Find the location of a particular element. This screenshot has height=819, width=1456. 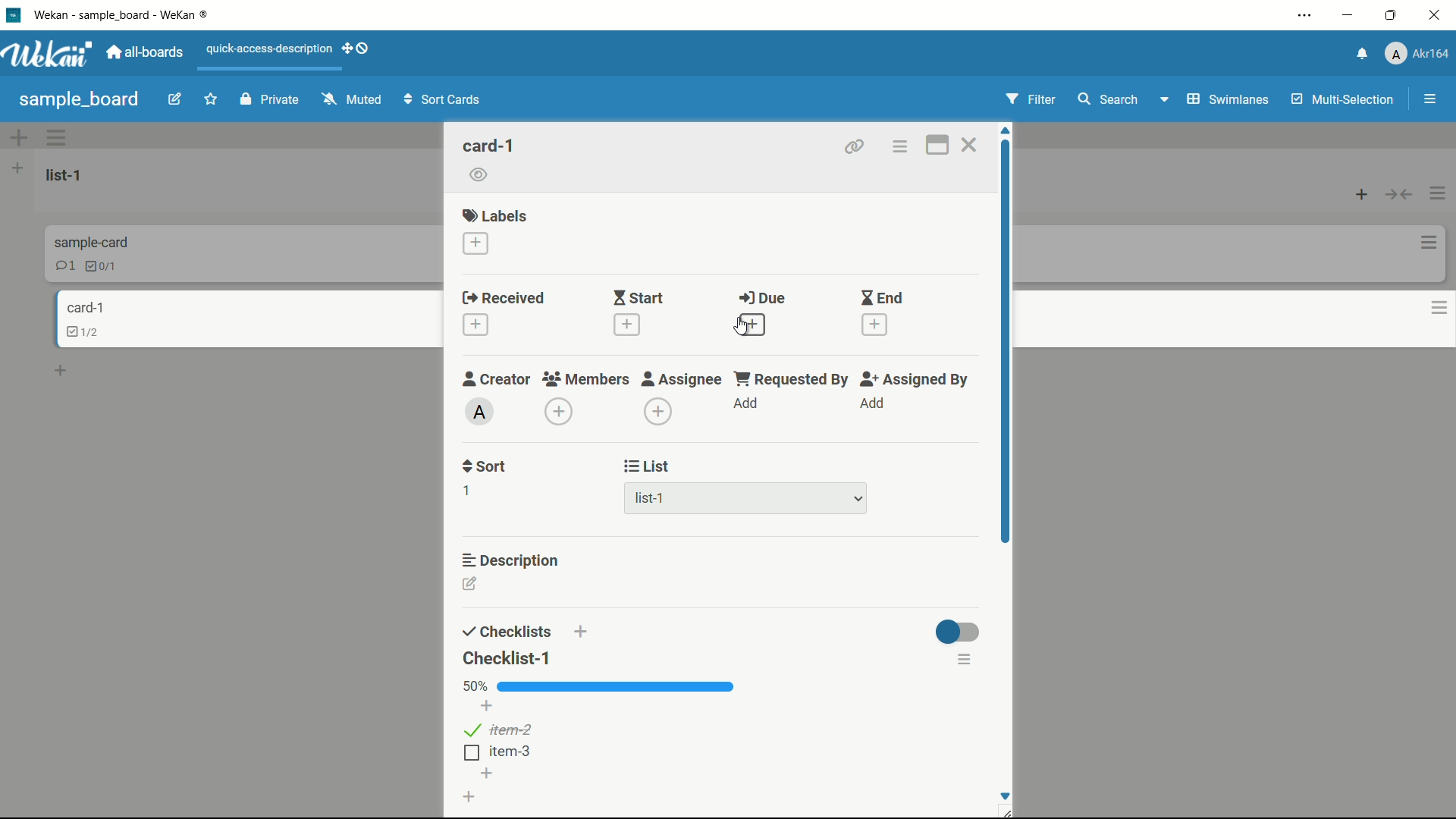

close card is located at coordinates (968, 144).